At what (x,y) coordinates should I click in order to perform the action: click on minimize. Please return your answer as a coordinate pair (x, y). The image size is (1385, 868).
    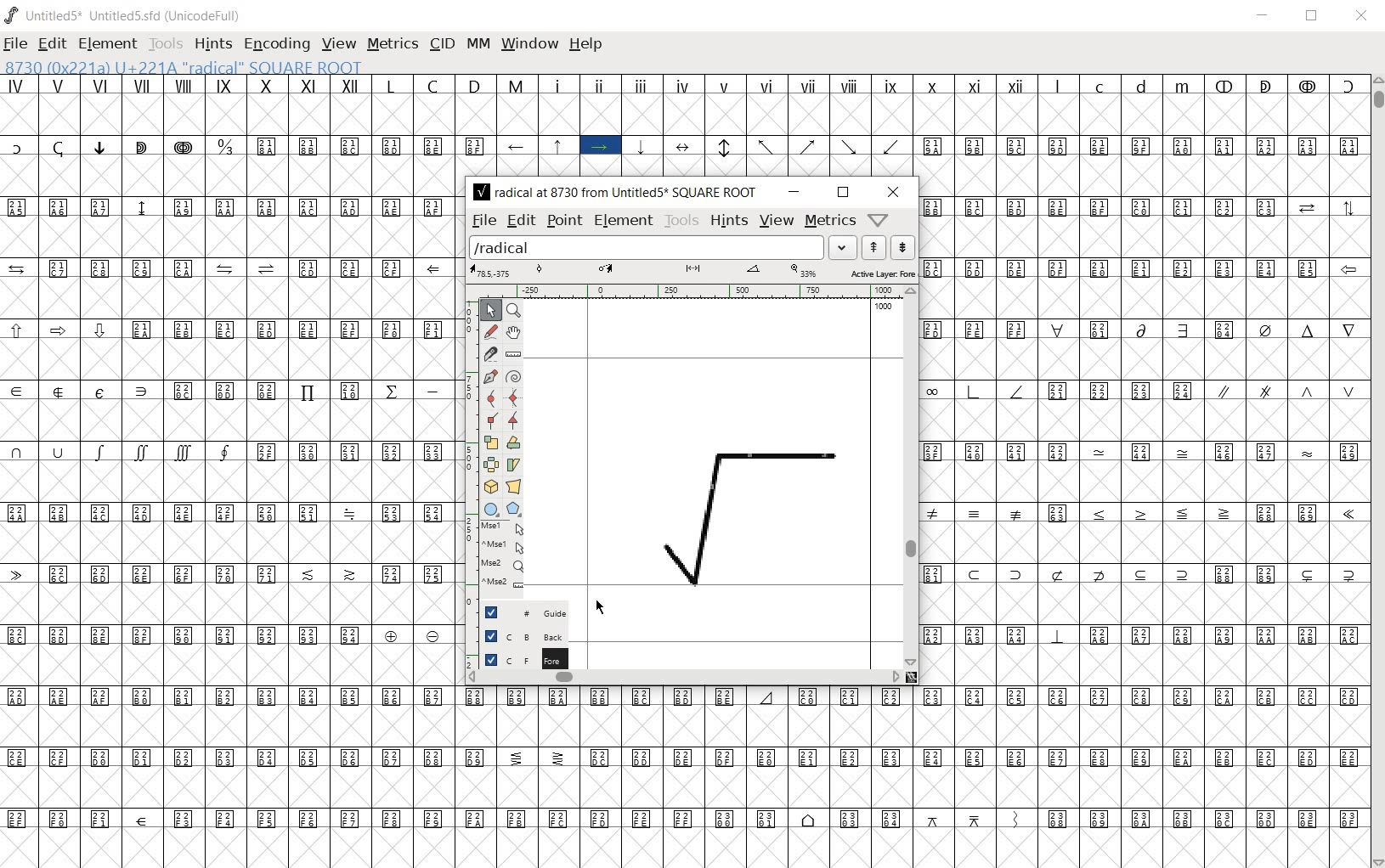
    Looking at the image, I should click on (792, 192).